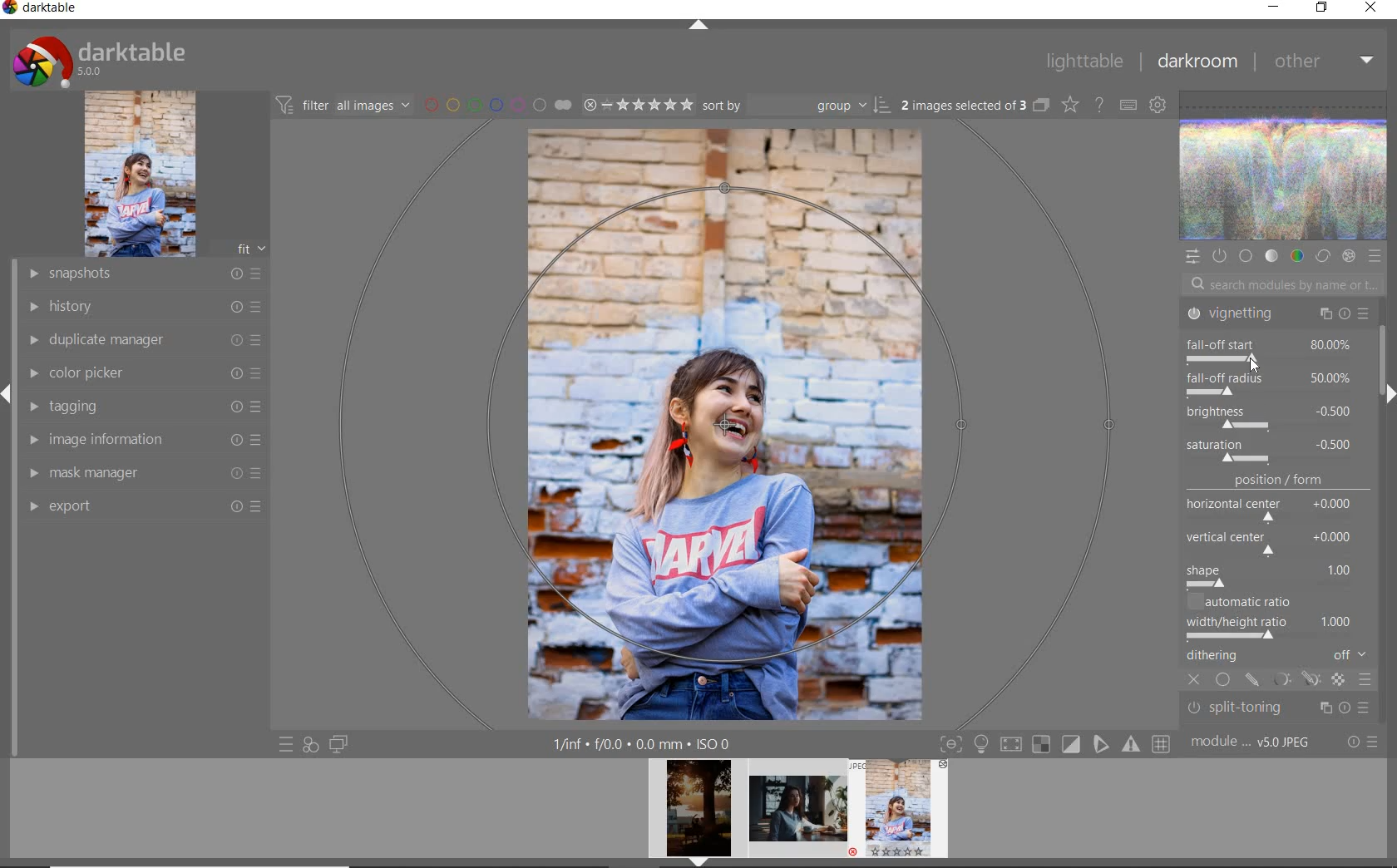 The height and width of the screenshot is (868, 1397). Describe the element at coordinates (1348, 256) in the screenshot. I see `effect` at that location.